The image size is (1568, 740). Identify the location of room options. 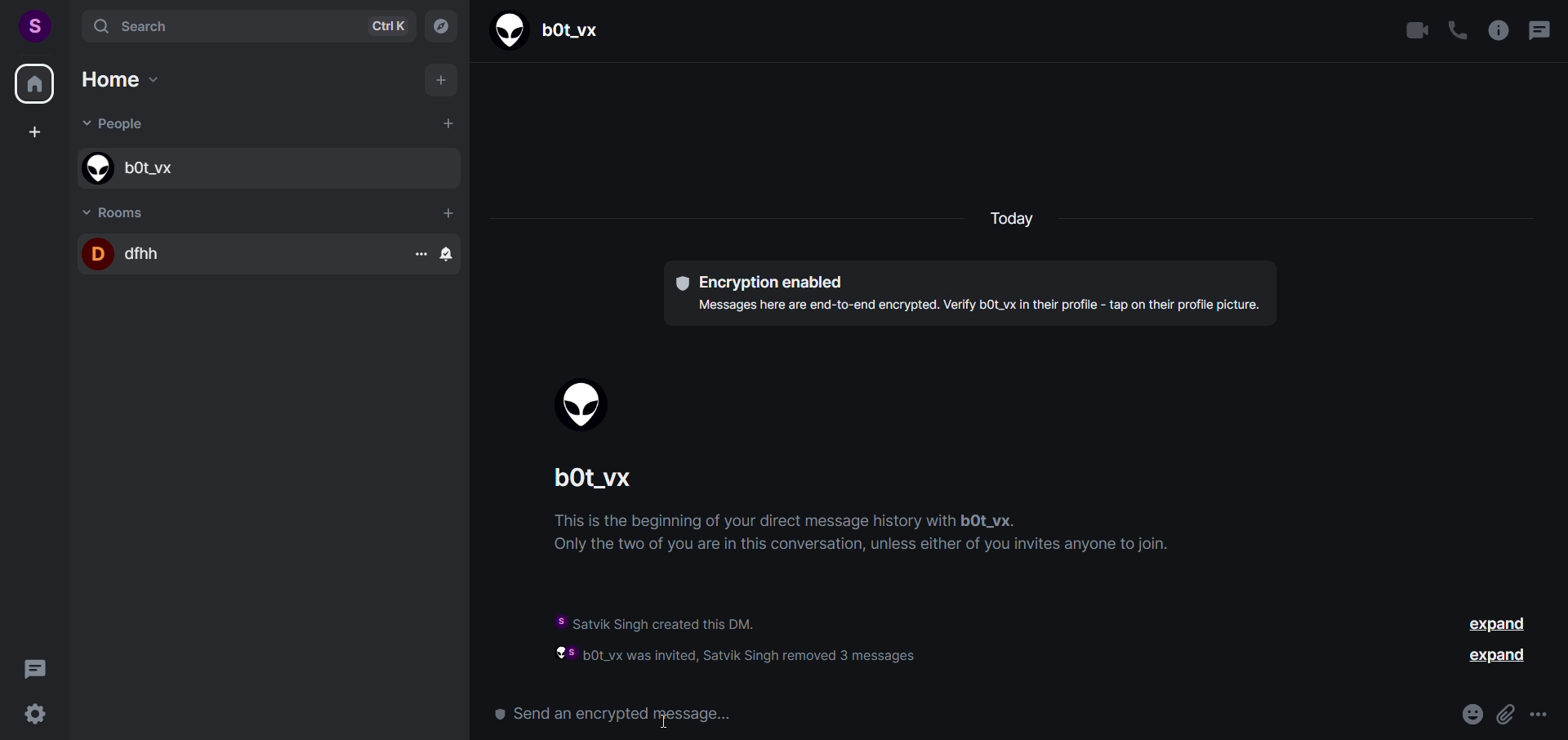
(448, 254).